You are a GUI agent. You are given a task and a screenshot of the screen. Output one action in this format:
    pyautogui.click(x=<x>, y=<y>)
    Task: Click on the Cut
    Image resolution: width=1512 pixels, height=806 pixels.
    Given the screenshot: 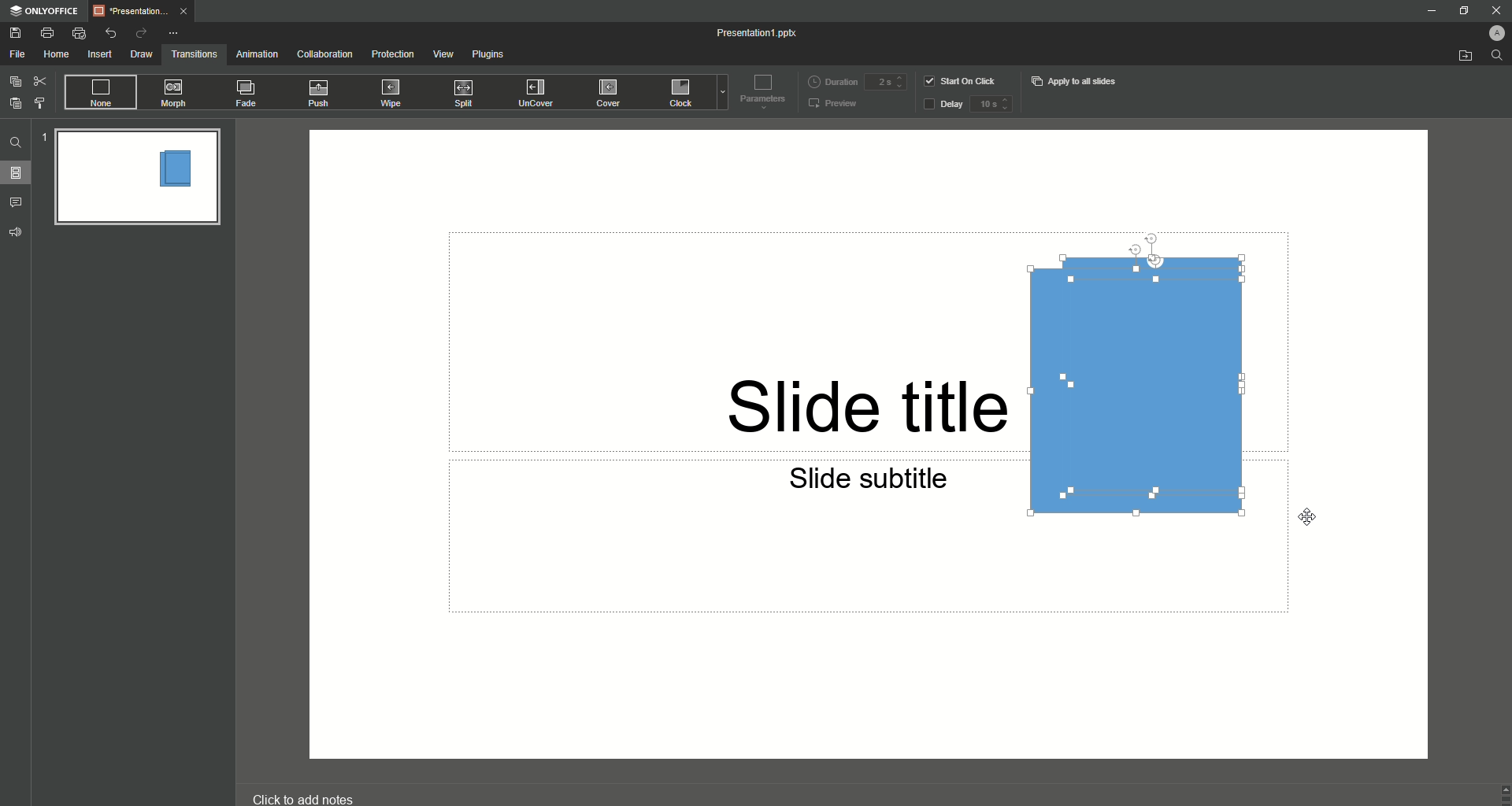 What is the action you would take?
    pyautogui.click(x=40, y=80)
    